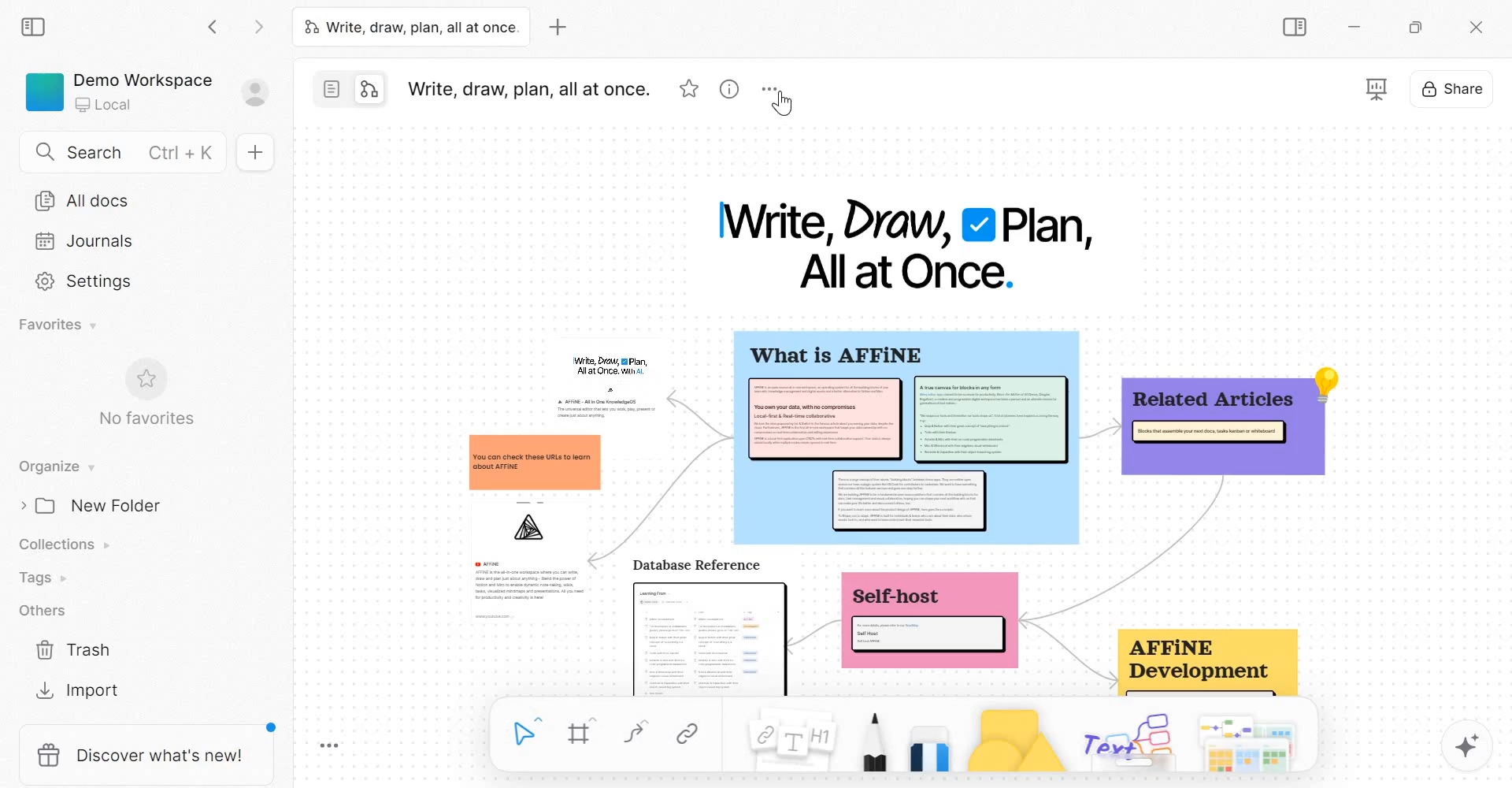 This screenshot has height=788, width=1512. Describe the element at coordinates (146, 421) in the screenshot. I see `No favorites` at that location.